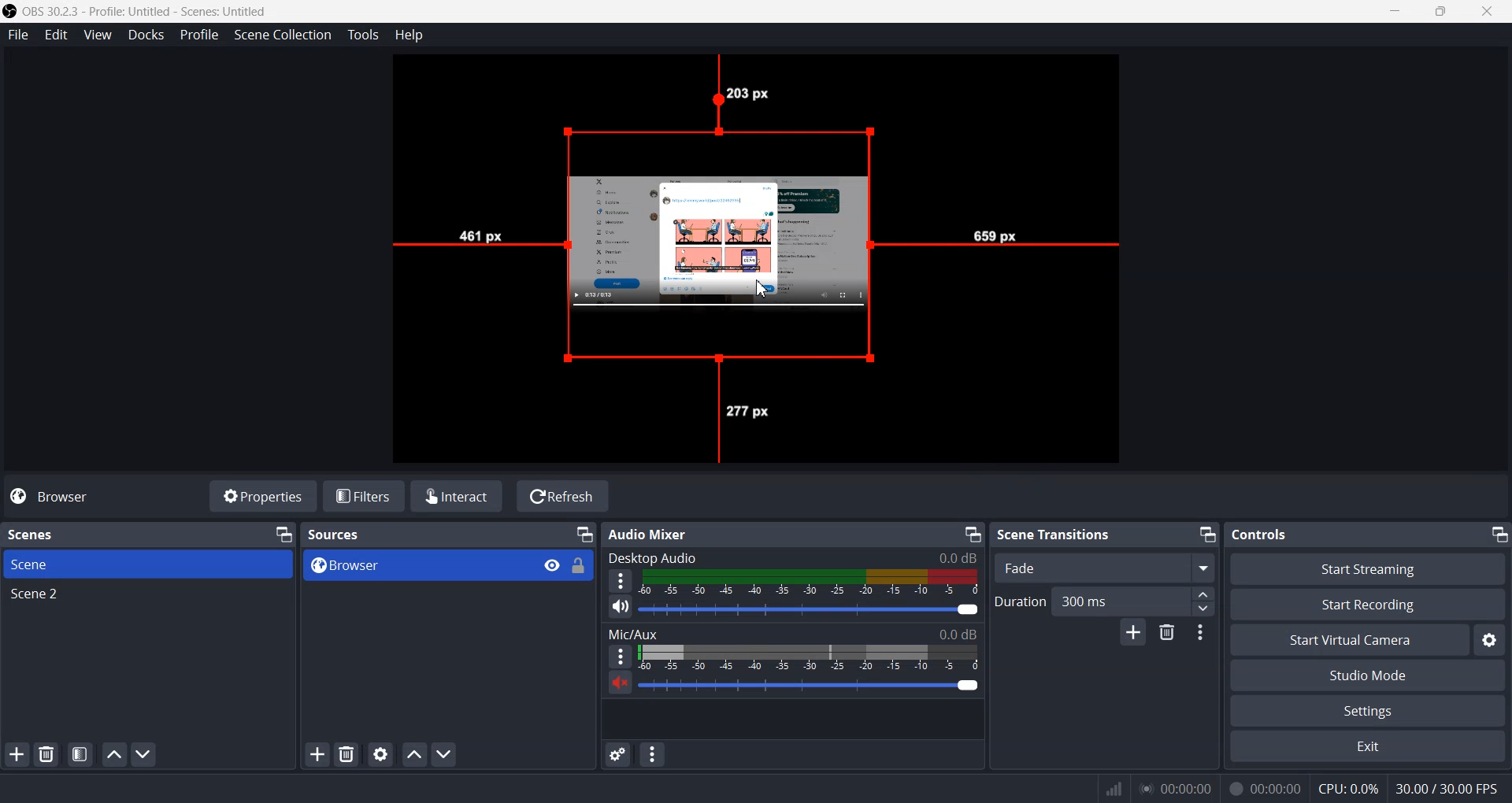 The height and width of the screenshot is (803, 1512). Describe the element at coordinates (1303, 535) in the screenshot. I see `Controls` at that location.